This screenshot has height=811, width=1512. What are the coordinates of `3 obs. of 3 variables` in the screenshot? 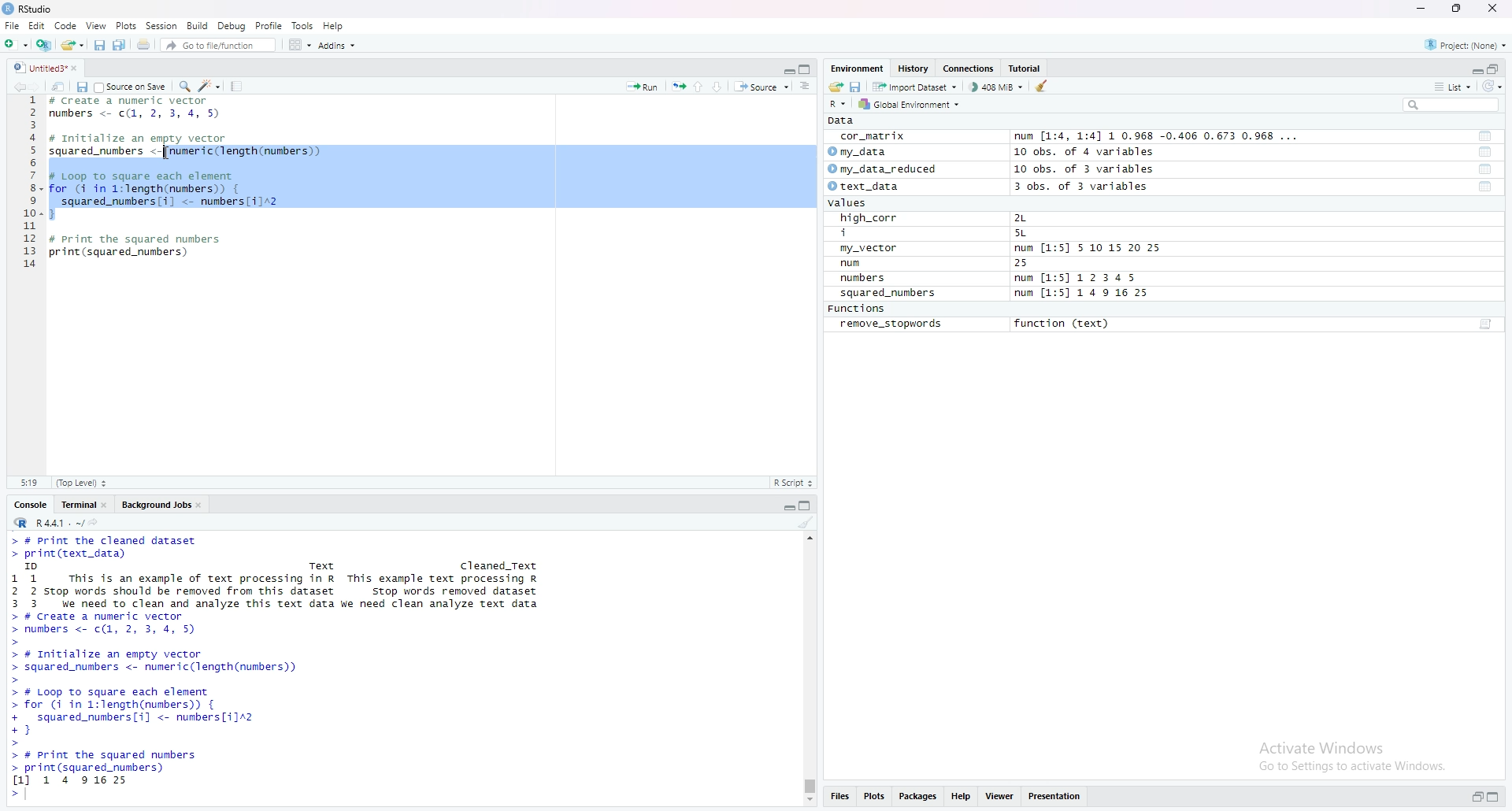 It's located at (1091, 187).